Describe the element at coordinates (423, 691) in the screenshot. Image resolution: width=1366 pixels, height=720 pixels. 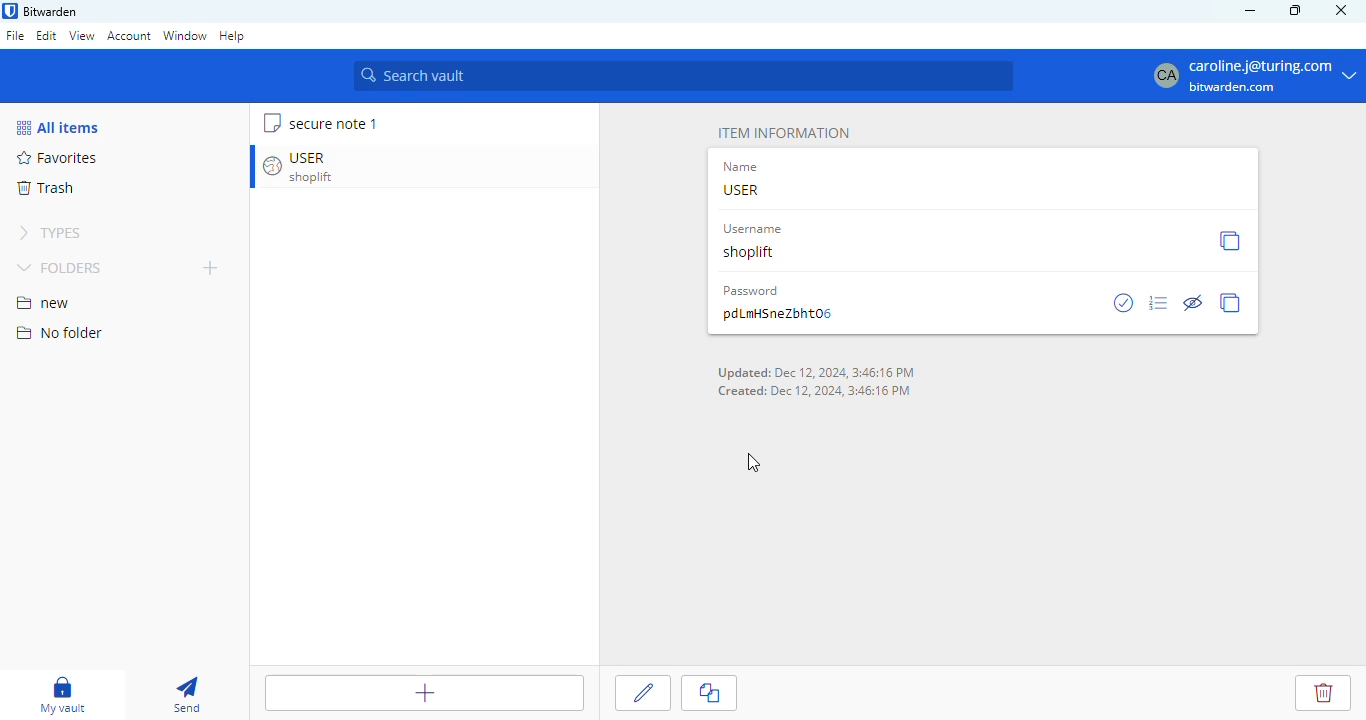
I see `add item` at that location.